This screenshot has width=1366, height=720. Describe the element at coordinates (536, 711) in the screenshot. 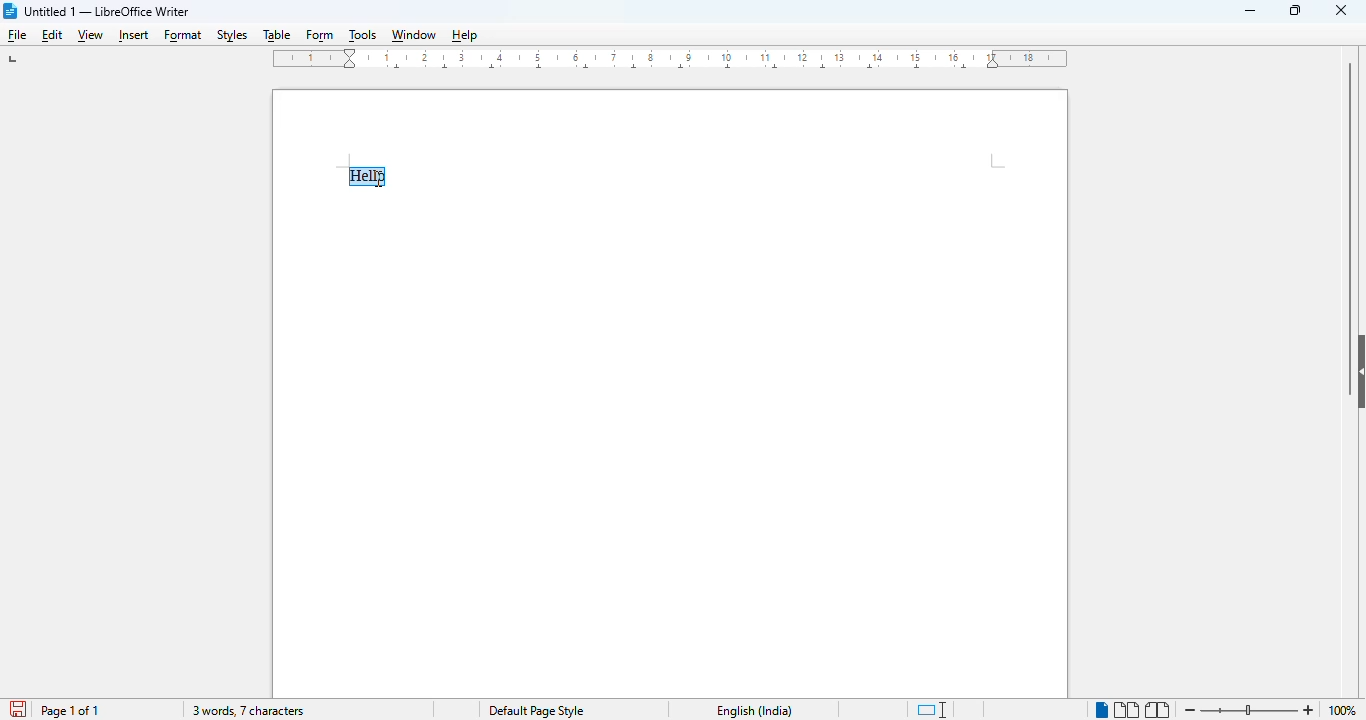

I see `page style` at that location.